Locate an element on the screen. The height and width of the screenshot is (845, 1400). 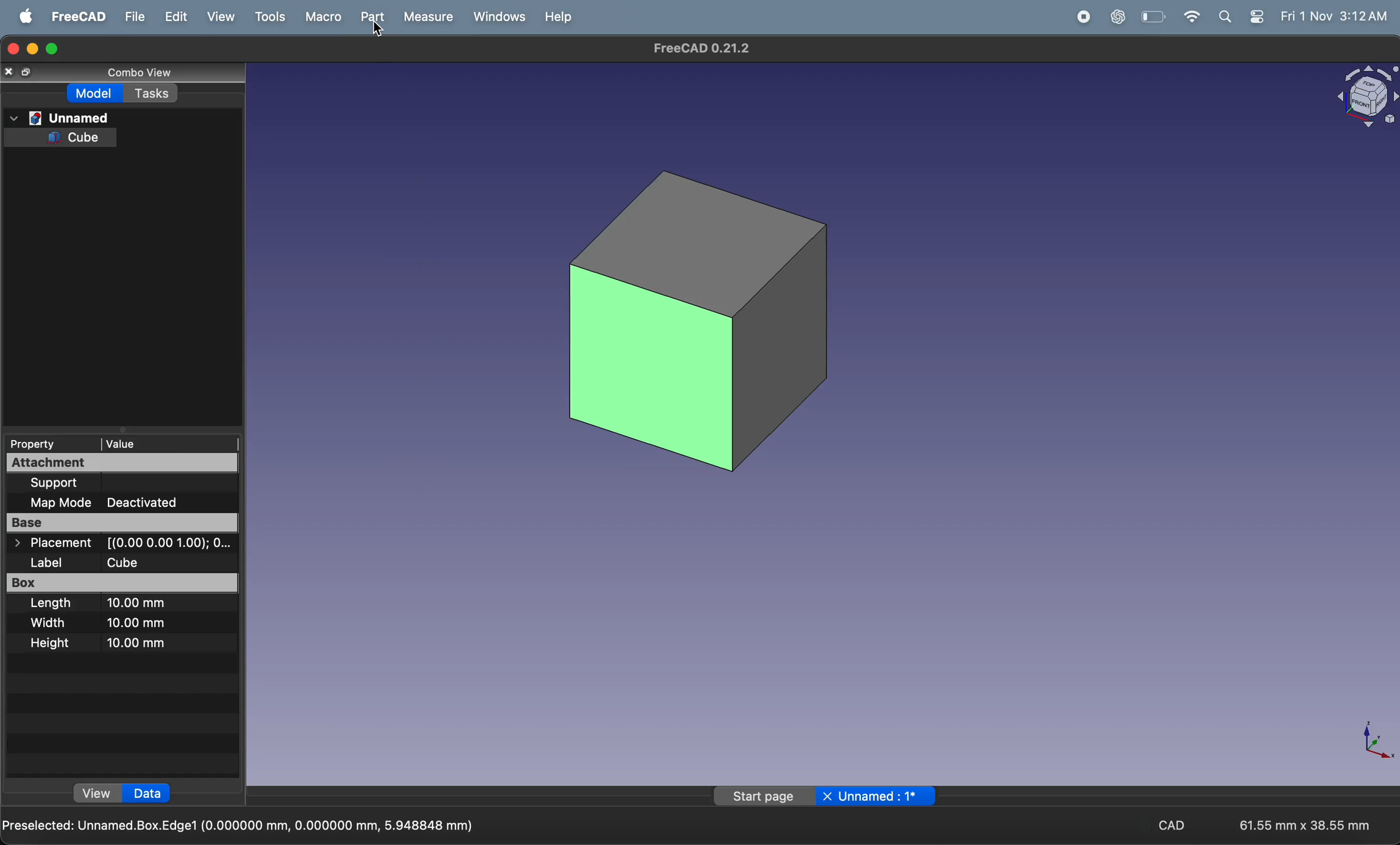
resize is located at coordinates (29, 71).